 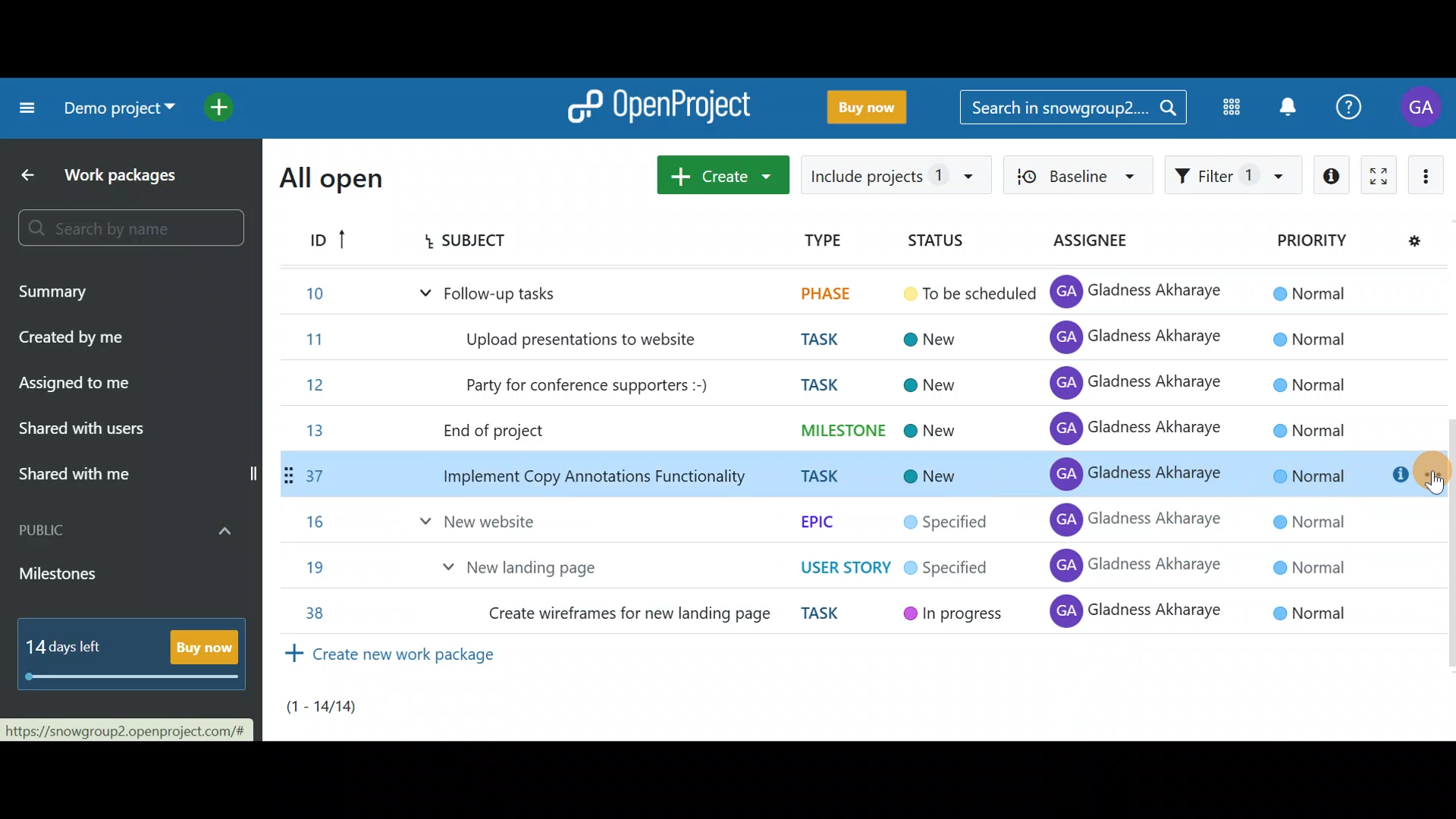 I want to click on TASK, so click(x=828, y=475).